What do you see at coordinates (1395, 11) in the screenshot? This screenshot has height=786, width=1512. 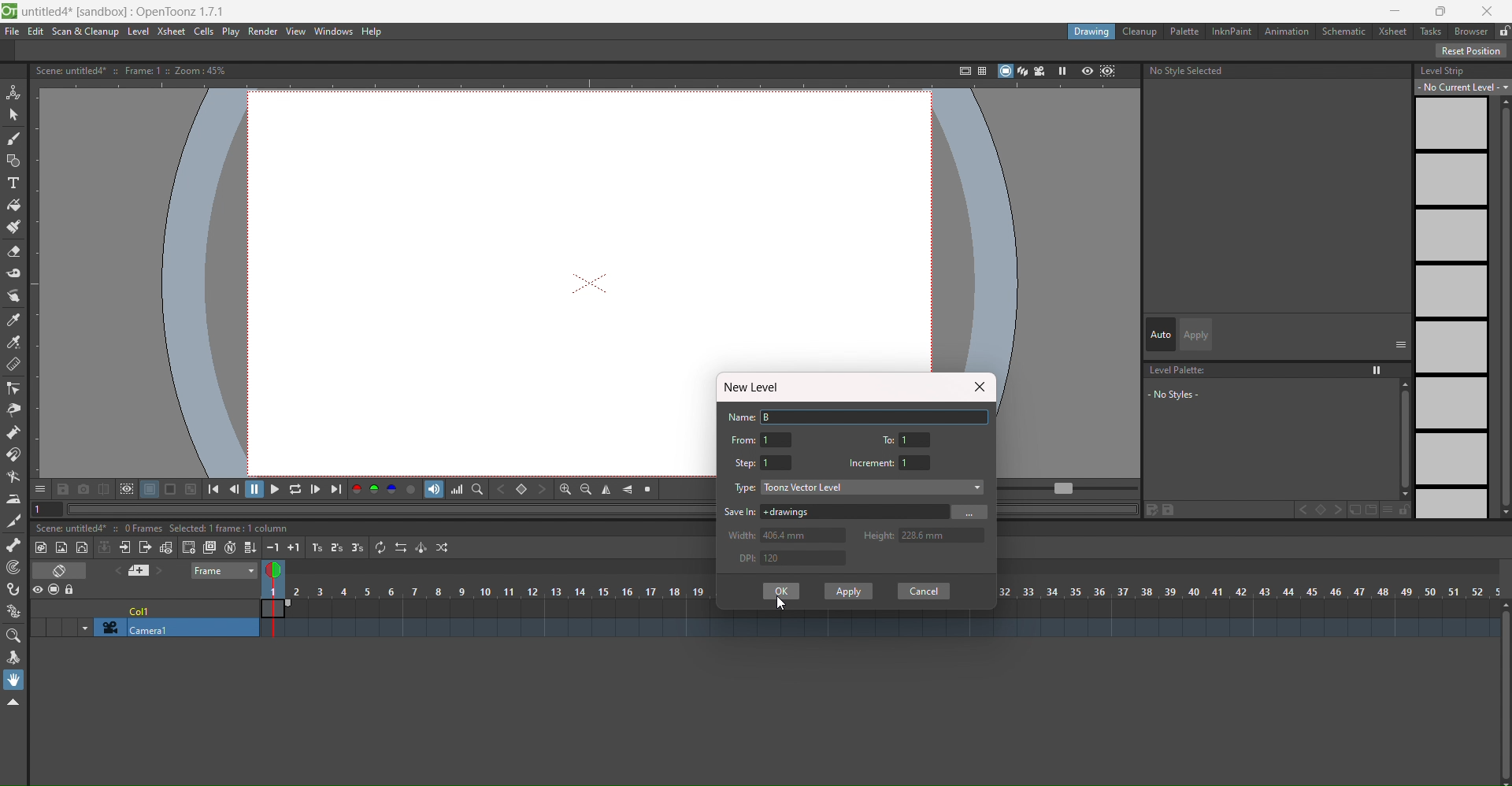 I see `minimise` at bounding box center [1395, 11].